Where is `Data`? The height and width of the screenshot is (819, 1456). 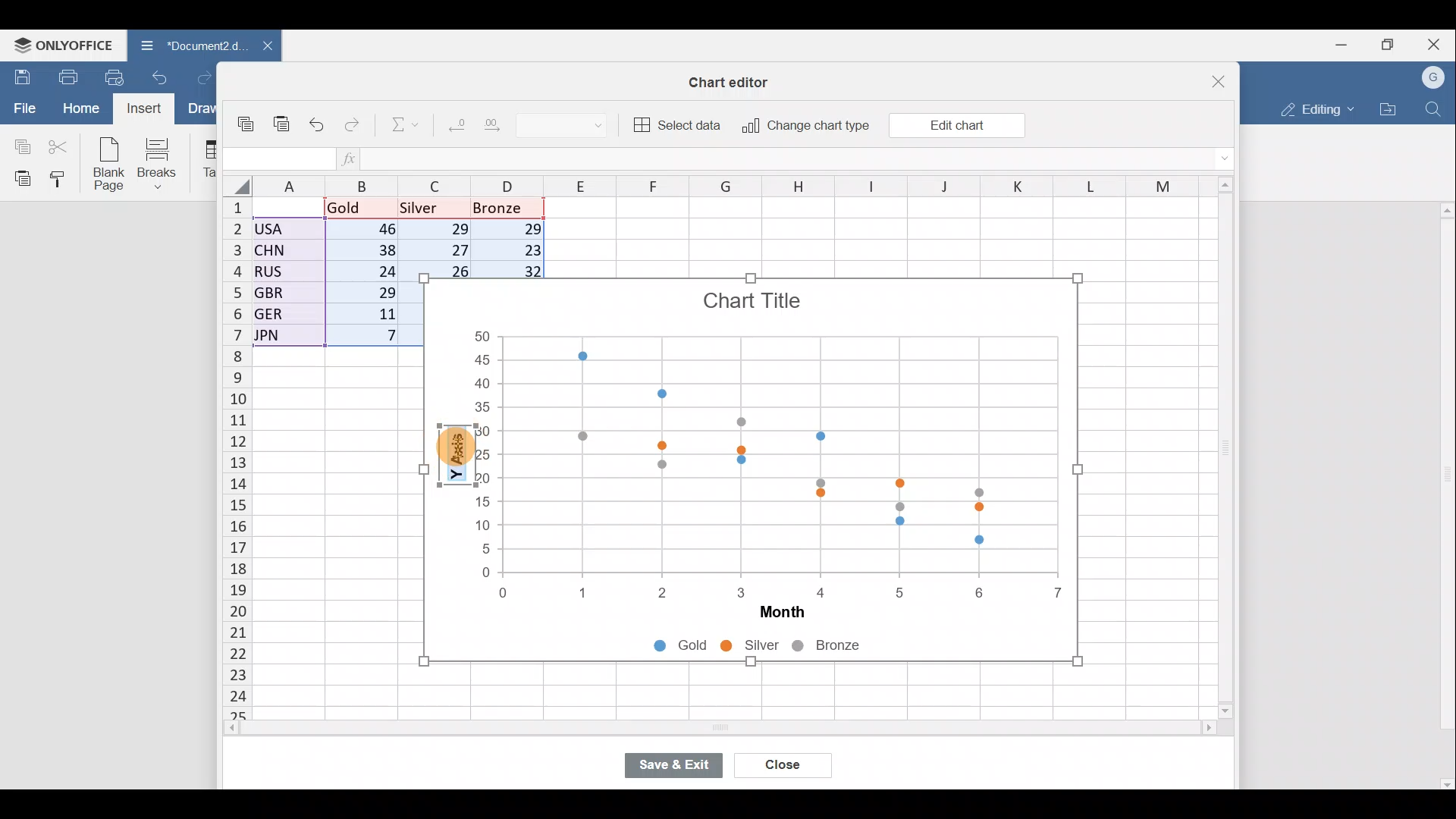 Data is located at coordinates (331, 277).